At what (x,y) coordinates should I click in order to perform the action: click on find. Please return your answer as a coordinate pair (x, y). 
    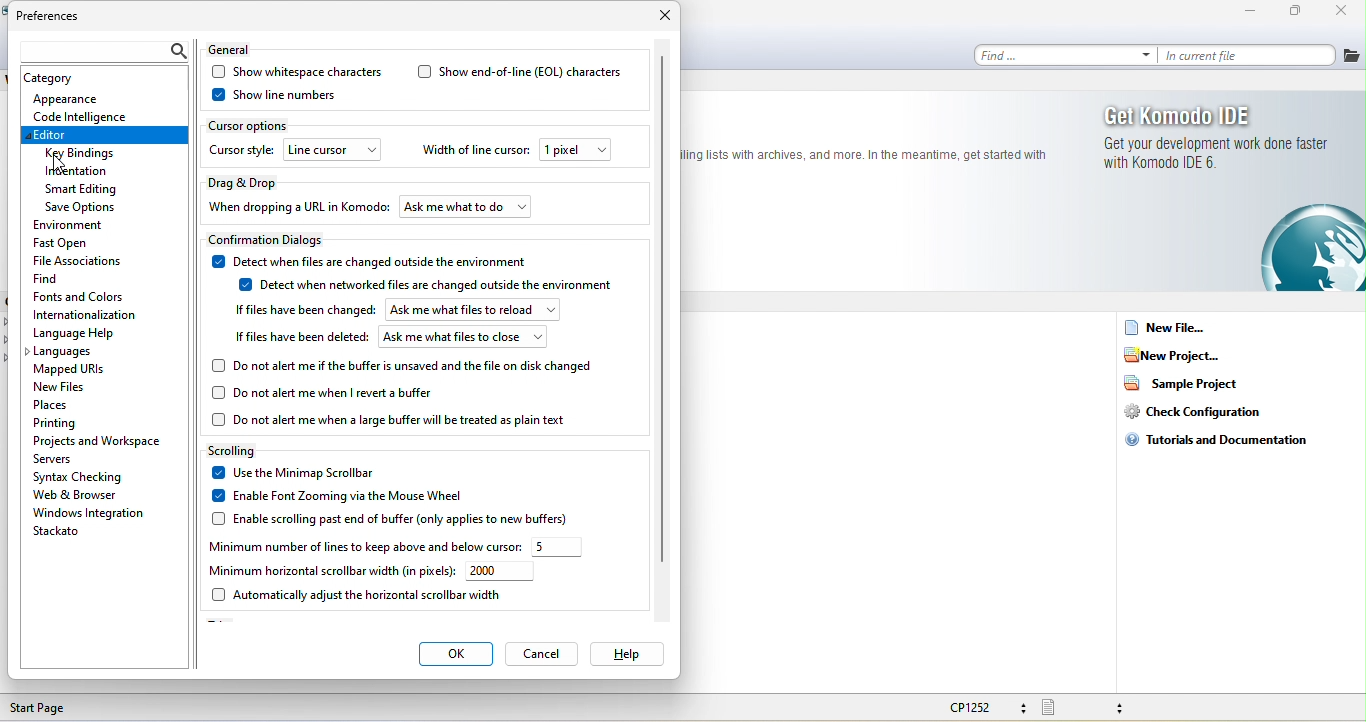
    Looking at the image, I should click on (48, 277).